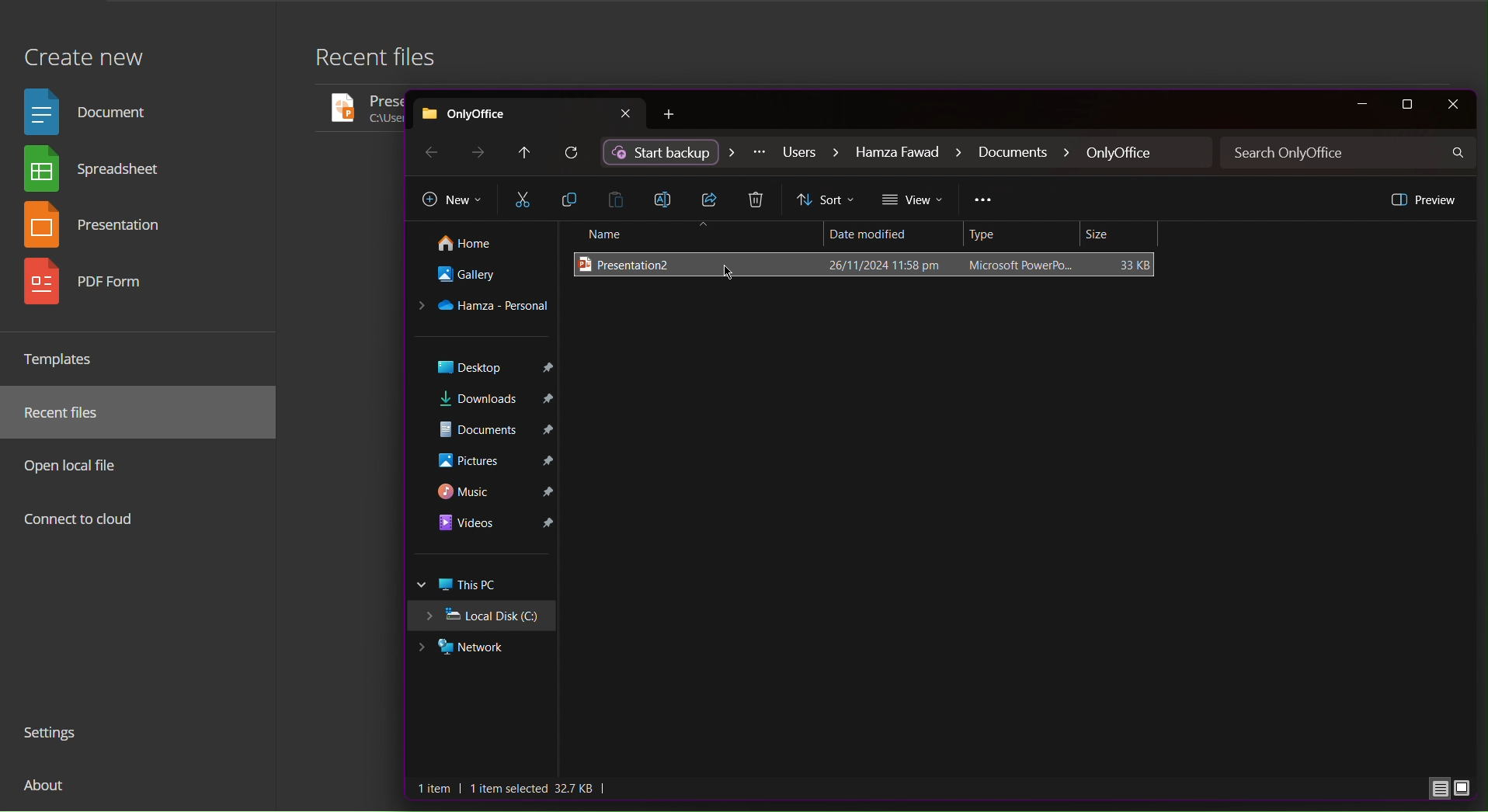 This screenshot has width=1488, height=812. What do you see at coordinates (478, 245) in the screenshot?
I see `Home` at bounding box center [478, 245].